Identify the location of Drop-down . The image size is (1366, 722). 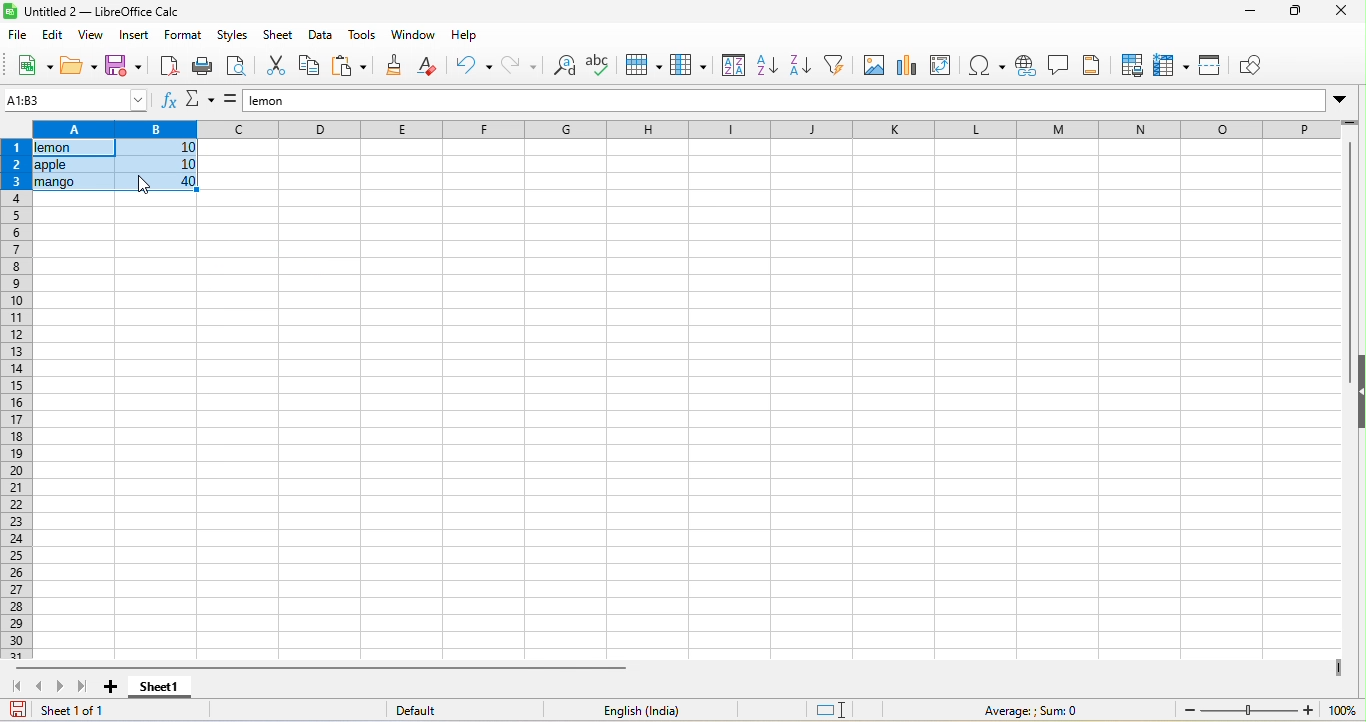
(1342, 99).